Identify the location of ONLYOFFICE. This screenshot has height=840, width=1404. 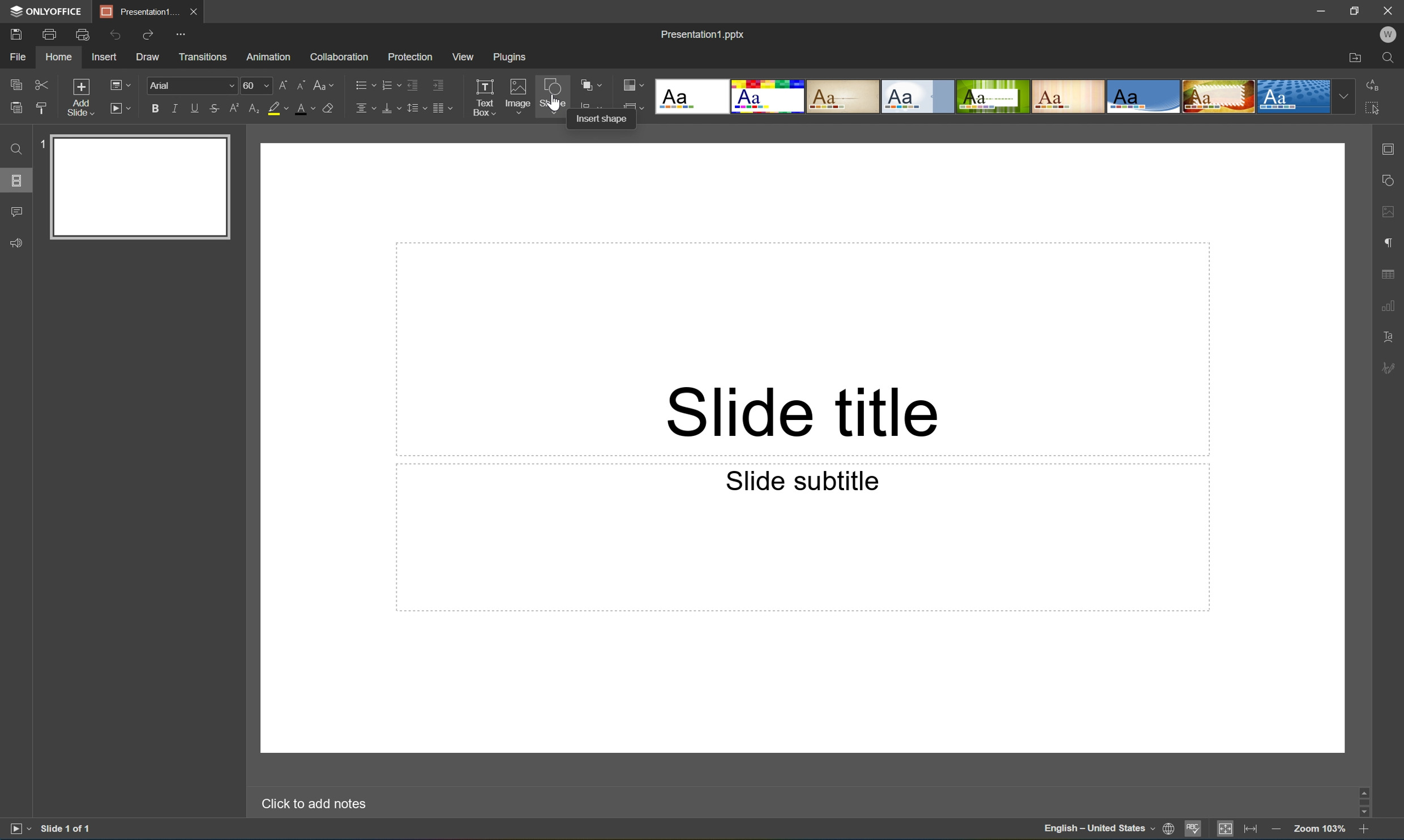
(48, 12).